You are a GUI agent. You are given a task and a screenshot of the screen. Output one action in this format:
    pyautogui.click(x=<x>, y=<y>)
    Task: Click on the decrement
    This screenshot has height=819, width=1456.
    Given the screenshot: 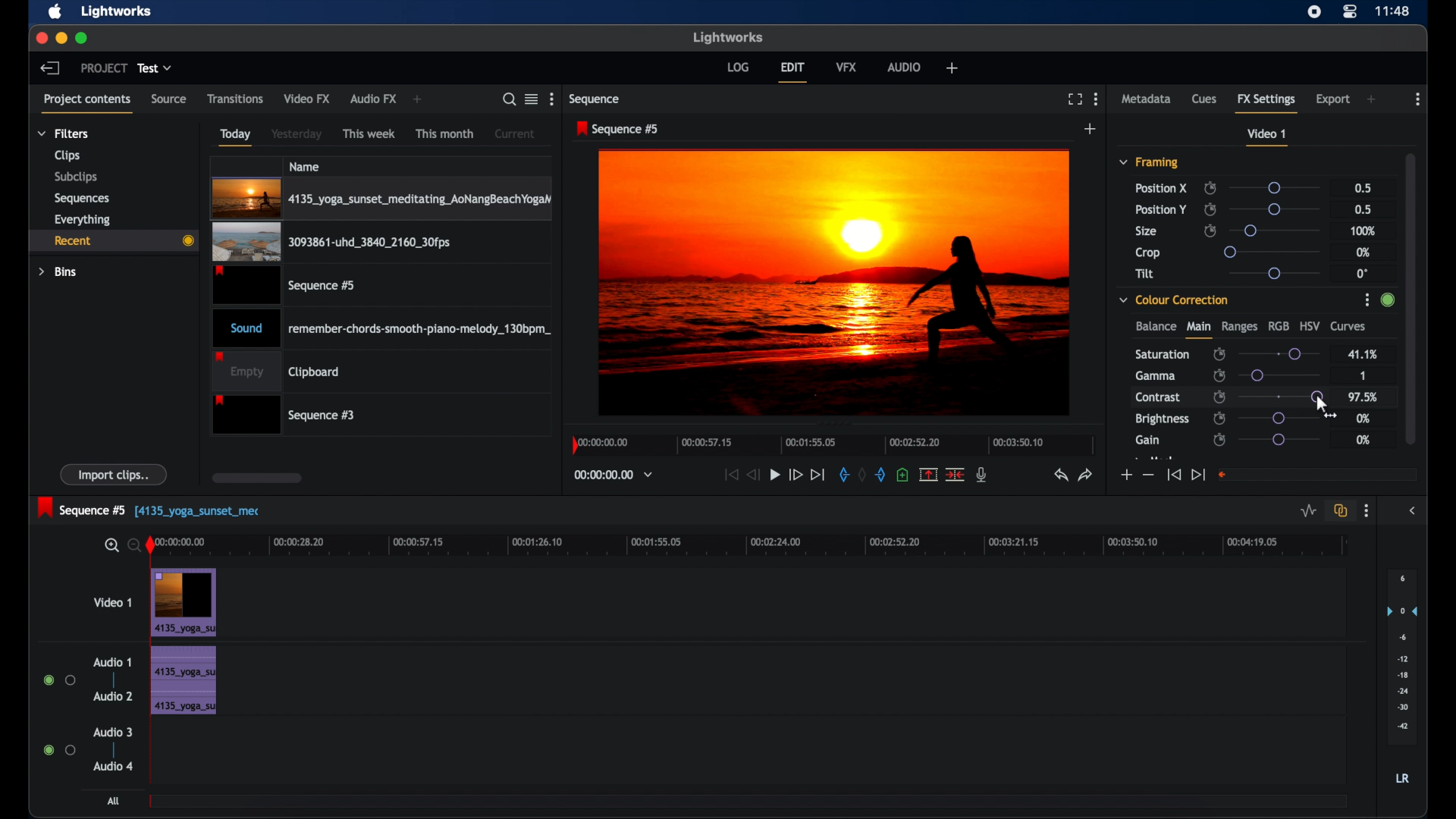 What is the action you would take?
    pyautogui.click(x=1148, y=475)
    